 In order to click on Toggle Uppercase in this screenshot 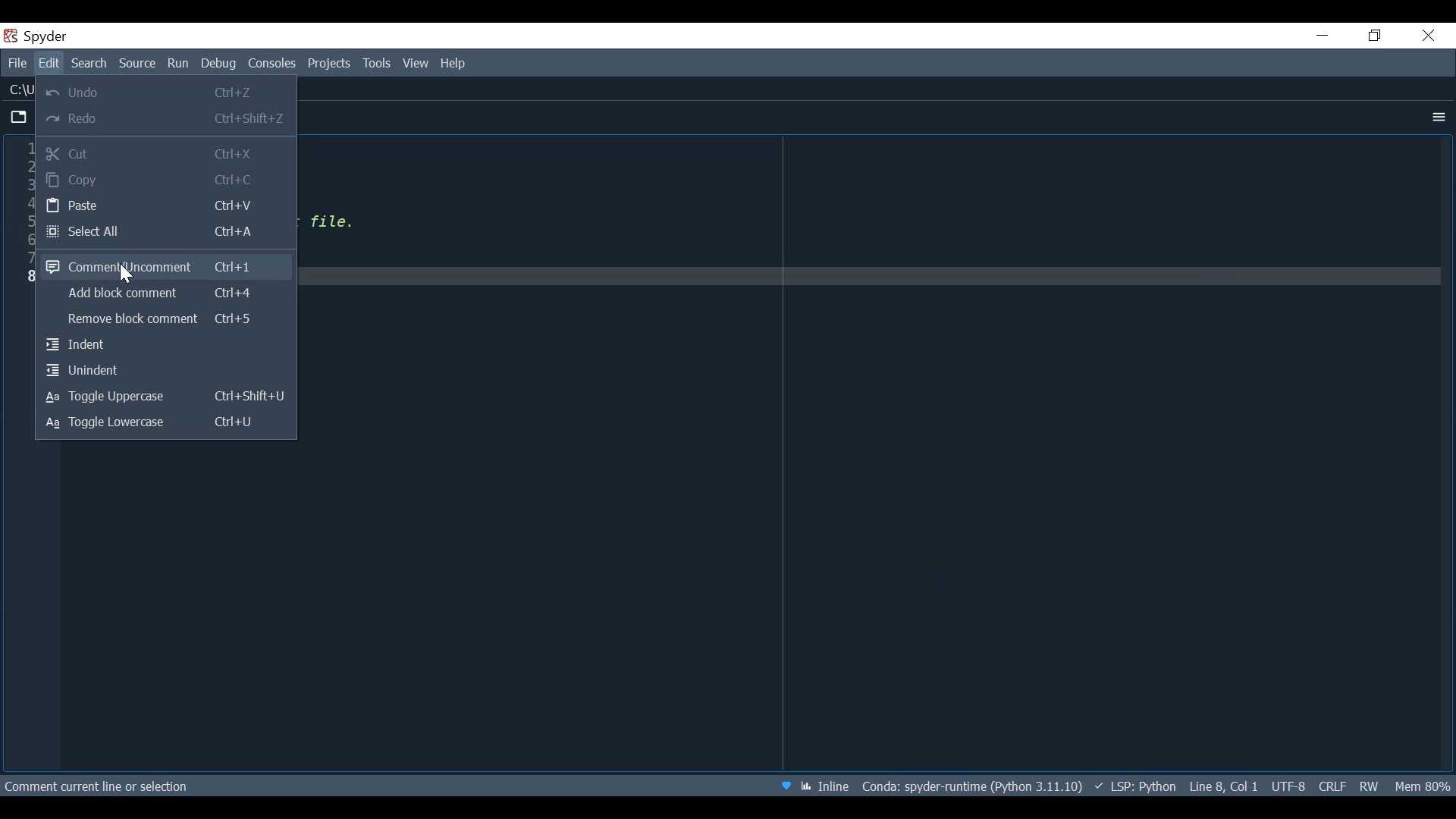, I will do `click(167, 397)`.